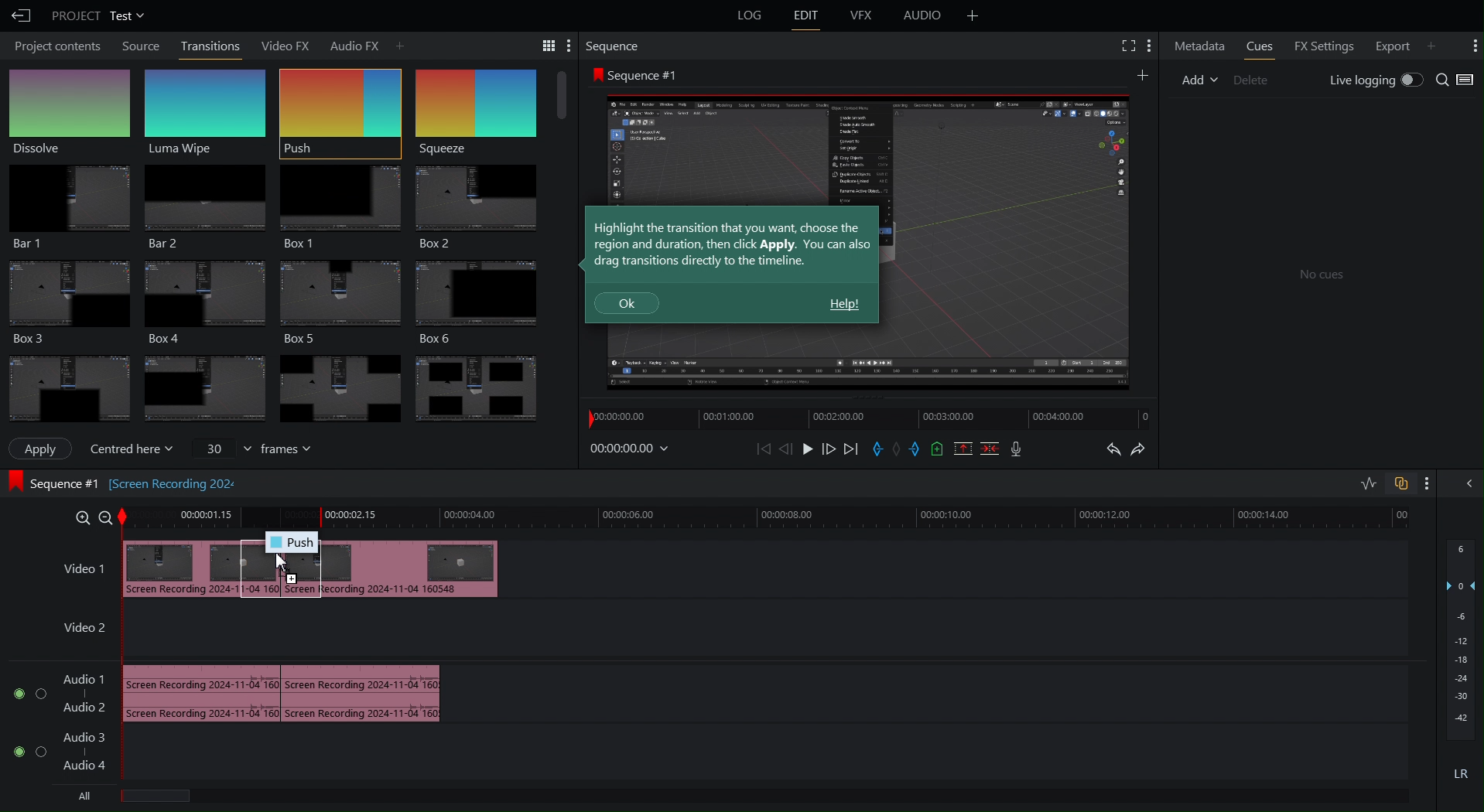 The height and width of the screenshot is (812, 1484). What do you see at coordinates (1126, 44) in the screenshot?
I see `Fullscreen` at bounding box center [1126, 44].